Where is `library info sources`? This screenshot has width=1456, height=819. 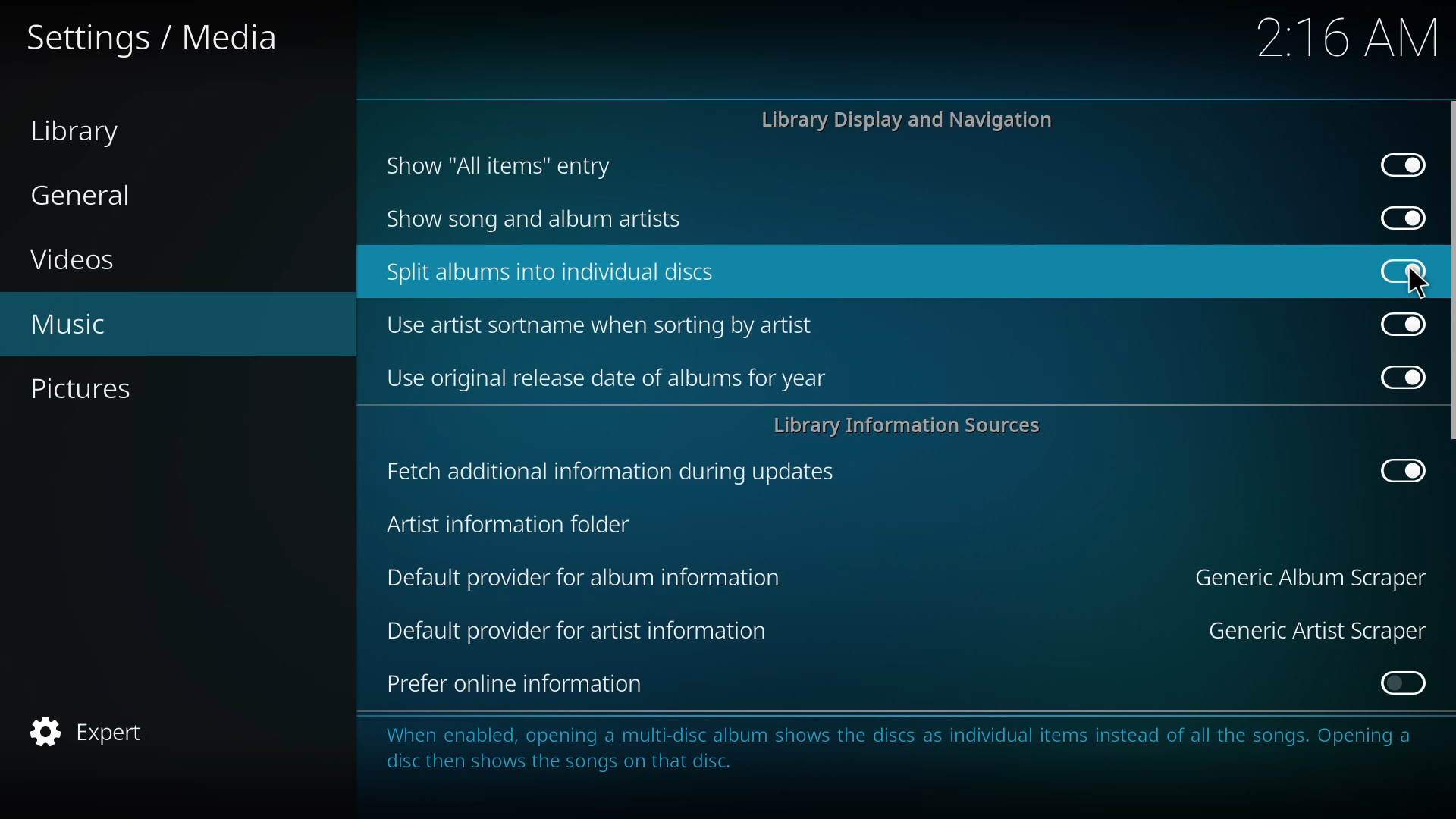 library info sources is located at coordinates (915, 425).